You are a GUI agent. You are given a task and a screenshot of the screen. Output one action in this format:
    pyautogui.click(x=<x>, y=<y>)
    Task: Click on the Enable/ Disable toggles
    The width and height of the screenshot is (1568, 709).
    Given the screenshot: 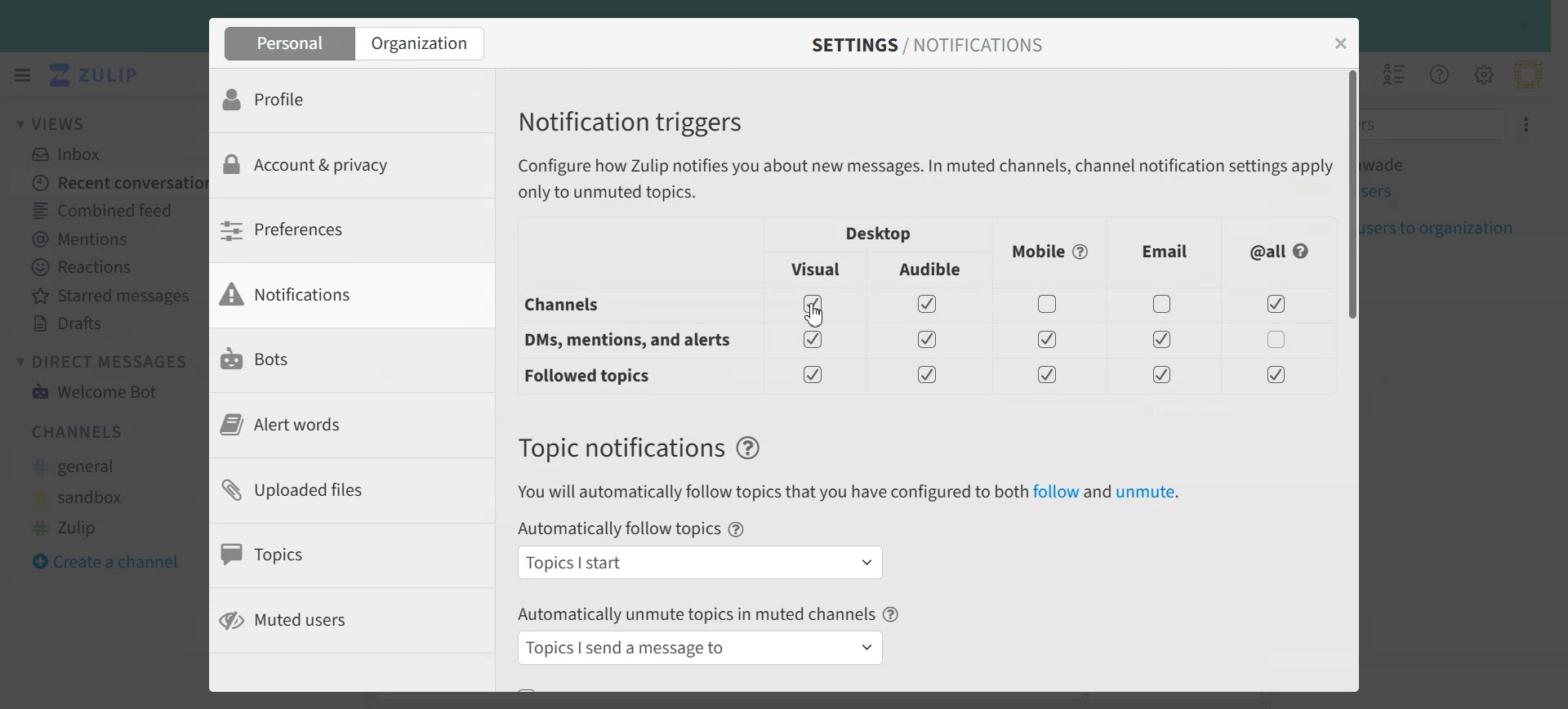 What is the action you would take?
    pyautogui.click(x=1058, y=339)
    